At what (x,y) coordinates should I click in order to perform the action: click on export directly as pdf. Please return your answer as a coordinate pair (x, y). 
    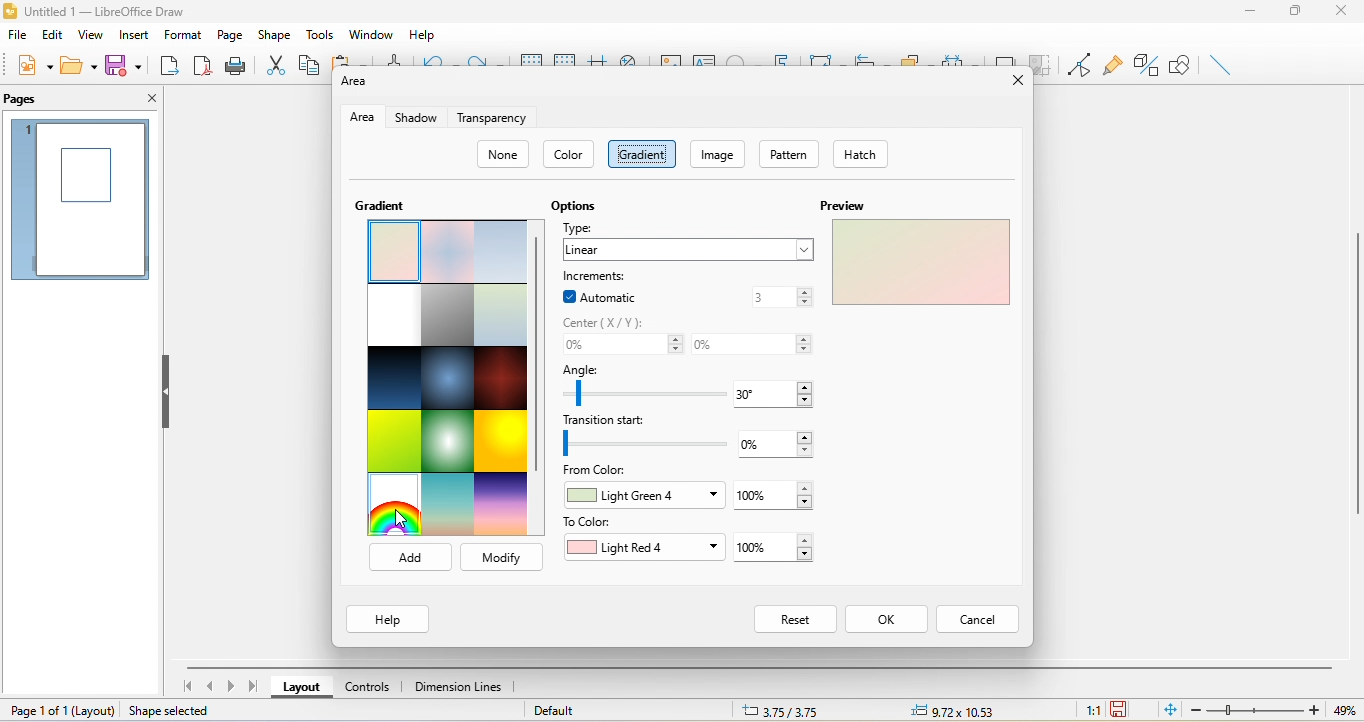
    Looking at the image, I should click on (201, 67).